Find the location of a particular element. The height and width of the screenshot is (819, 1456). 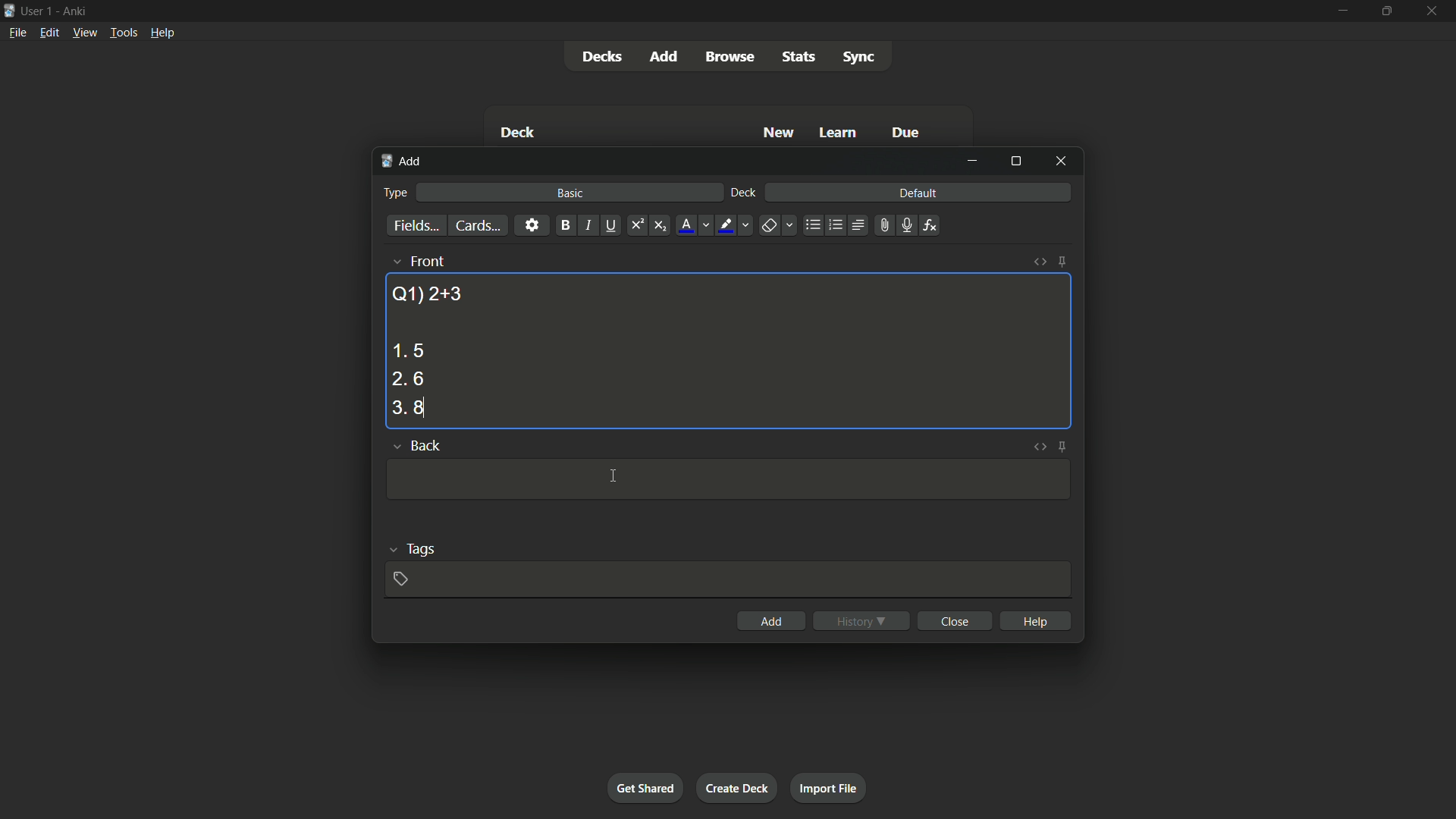

option 3 is located at coordinates (409, 408).